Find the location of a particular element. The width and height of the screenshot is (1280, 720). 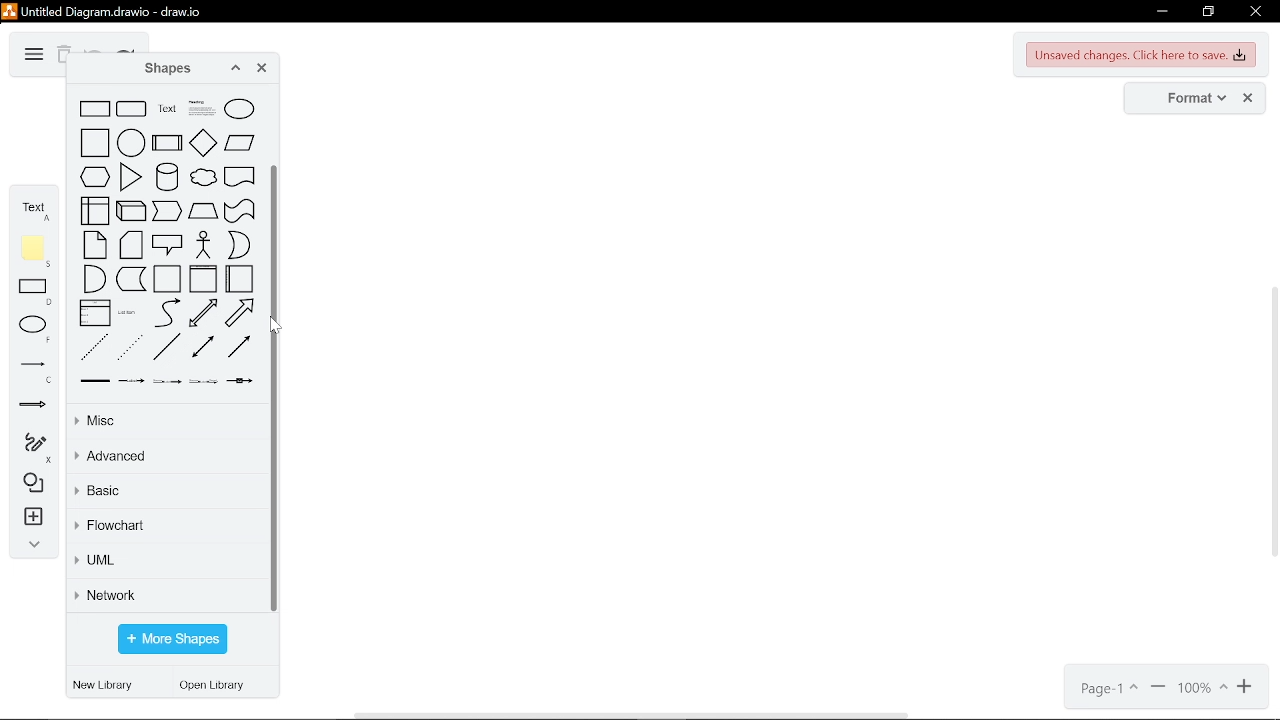

Misc is located at coordinates (165, 422).